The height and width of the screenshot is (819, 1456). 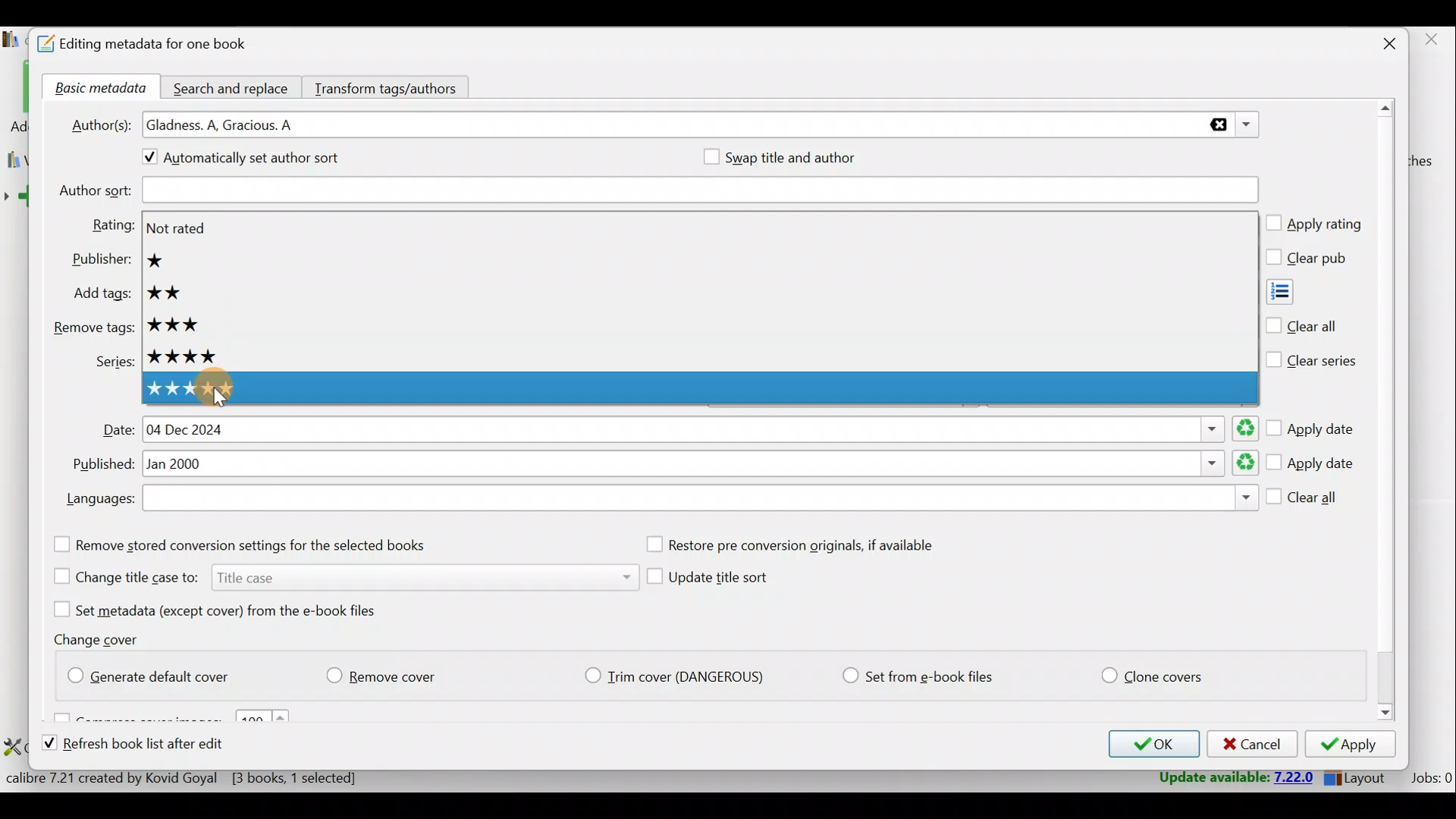 I want to click on Generate default cover, so click(x=156, y=673).